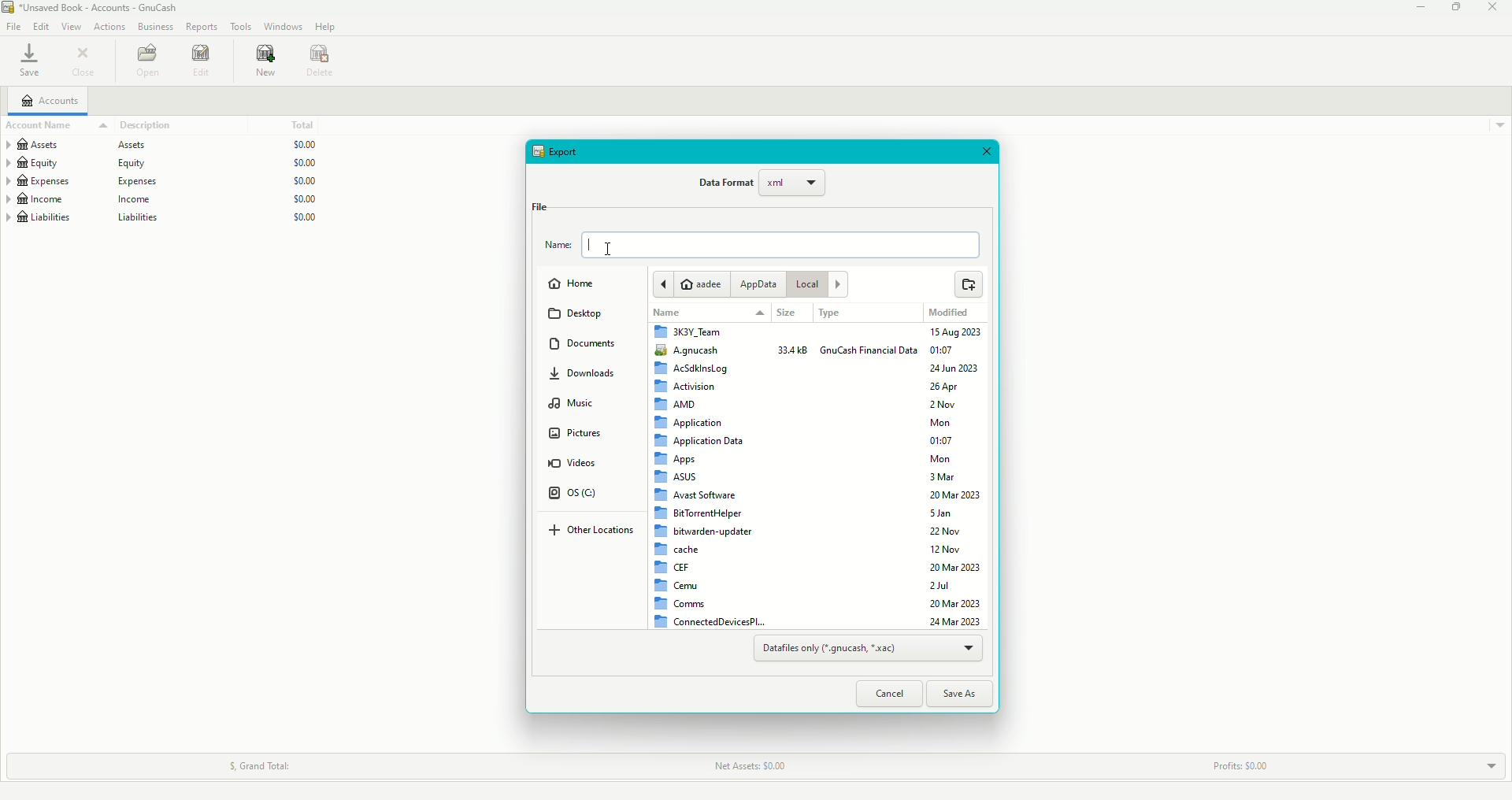  Describe the element at coordinates (283, 28) in the screenshot. I see `Windows` at that location.